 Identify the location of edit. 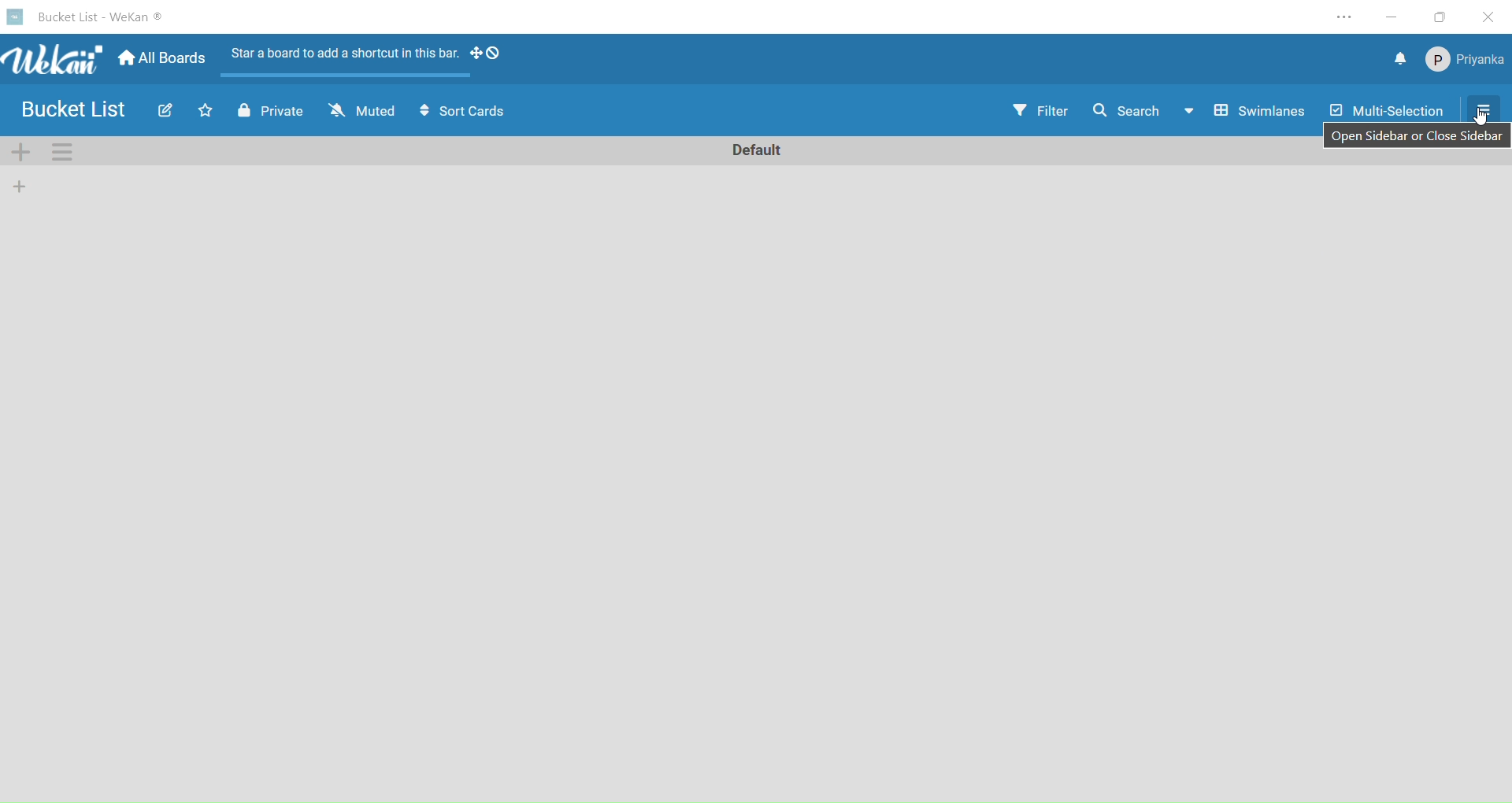
(165, 110).